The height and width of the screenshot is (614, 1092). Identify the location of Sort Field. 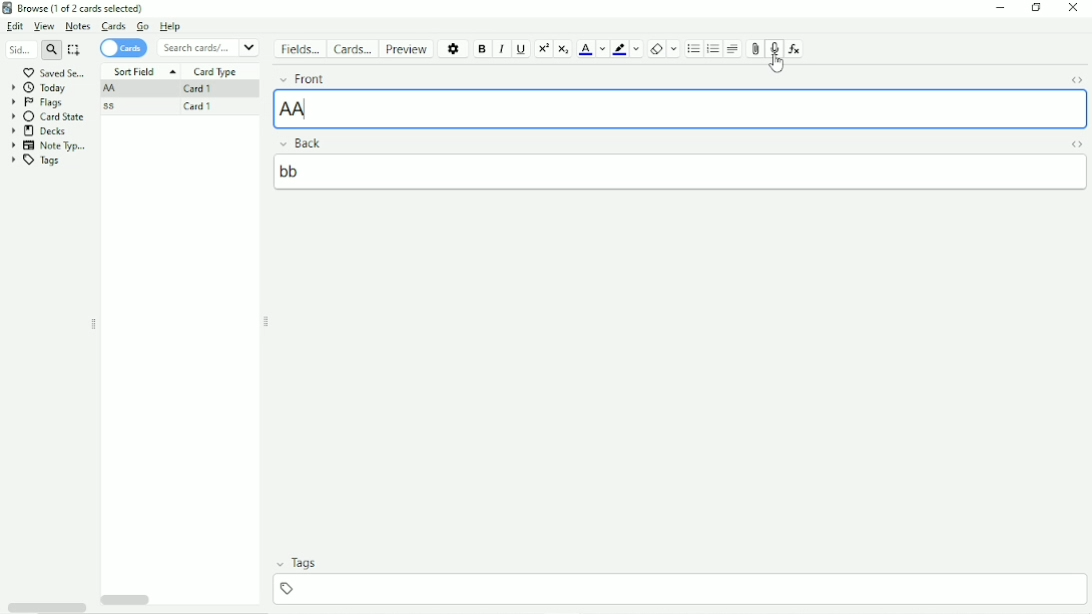
(146, 71).